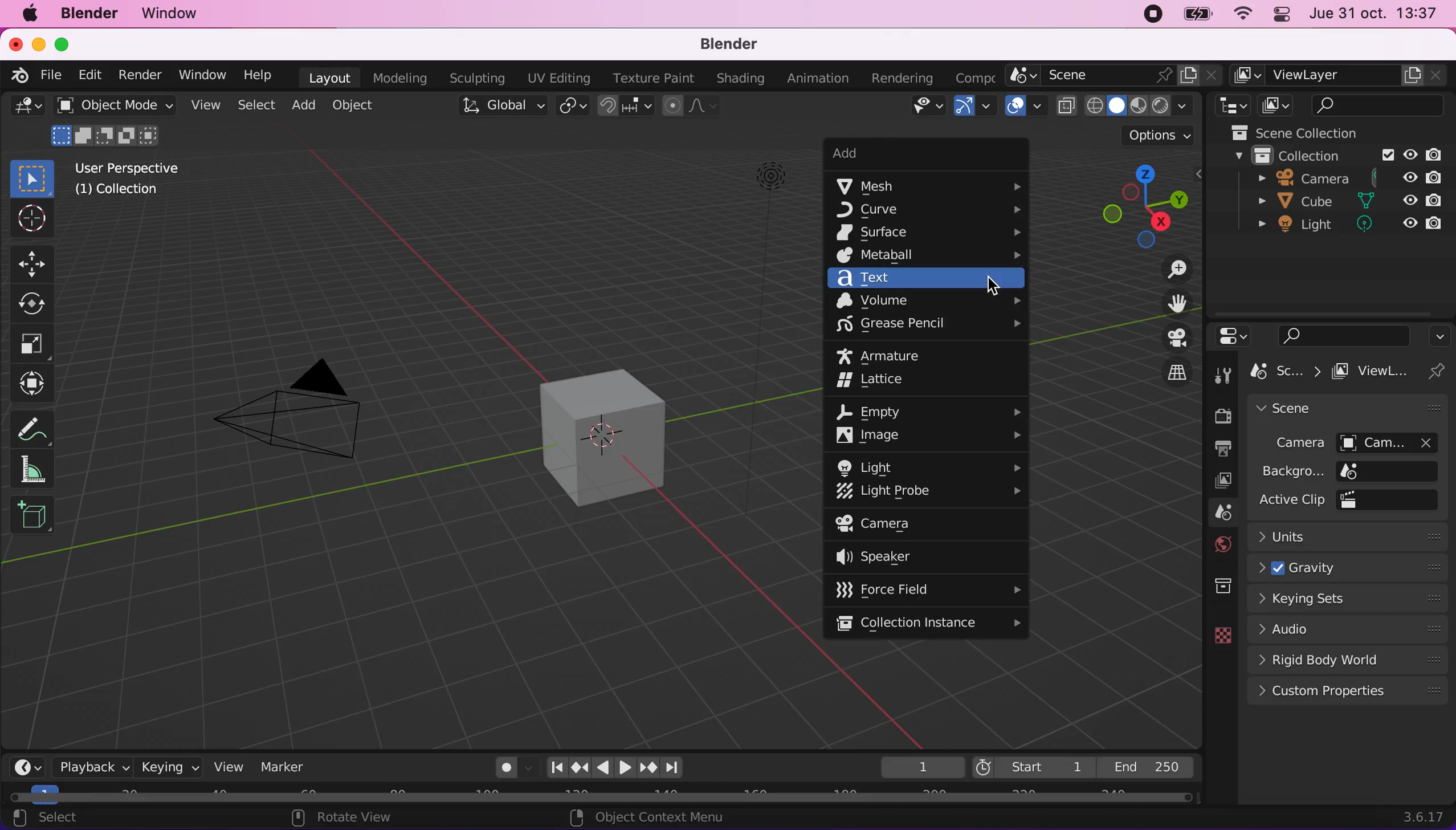  Describe the element at coordinates (34, 521) in the screenshot. I see `add cube` at that location.